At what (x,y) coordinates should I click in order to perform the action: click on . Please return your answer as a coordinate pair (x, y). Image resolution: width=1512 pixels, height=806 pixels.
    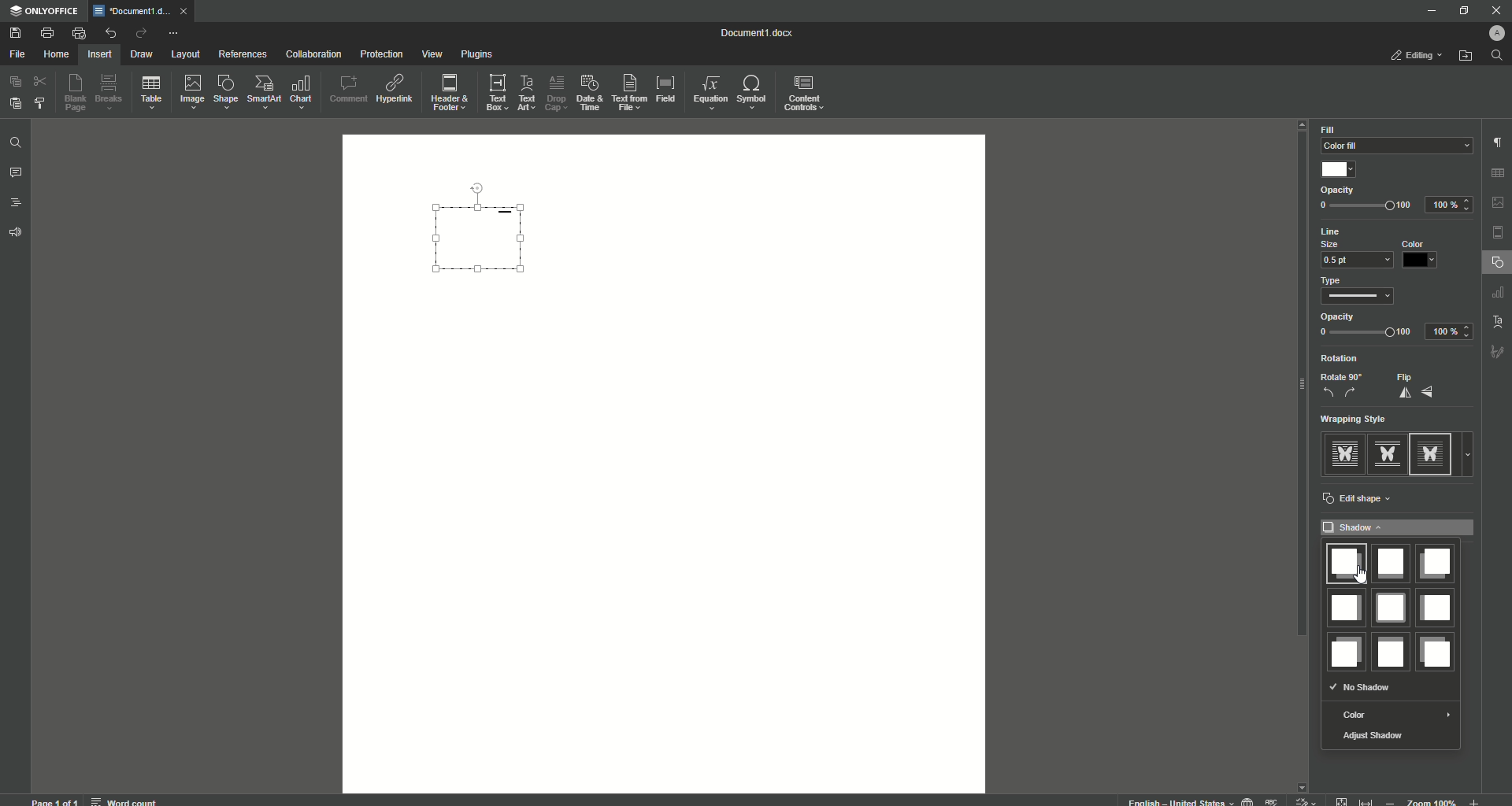
    Looking at the image, I should click on (381, 56).